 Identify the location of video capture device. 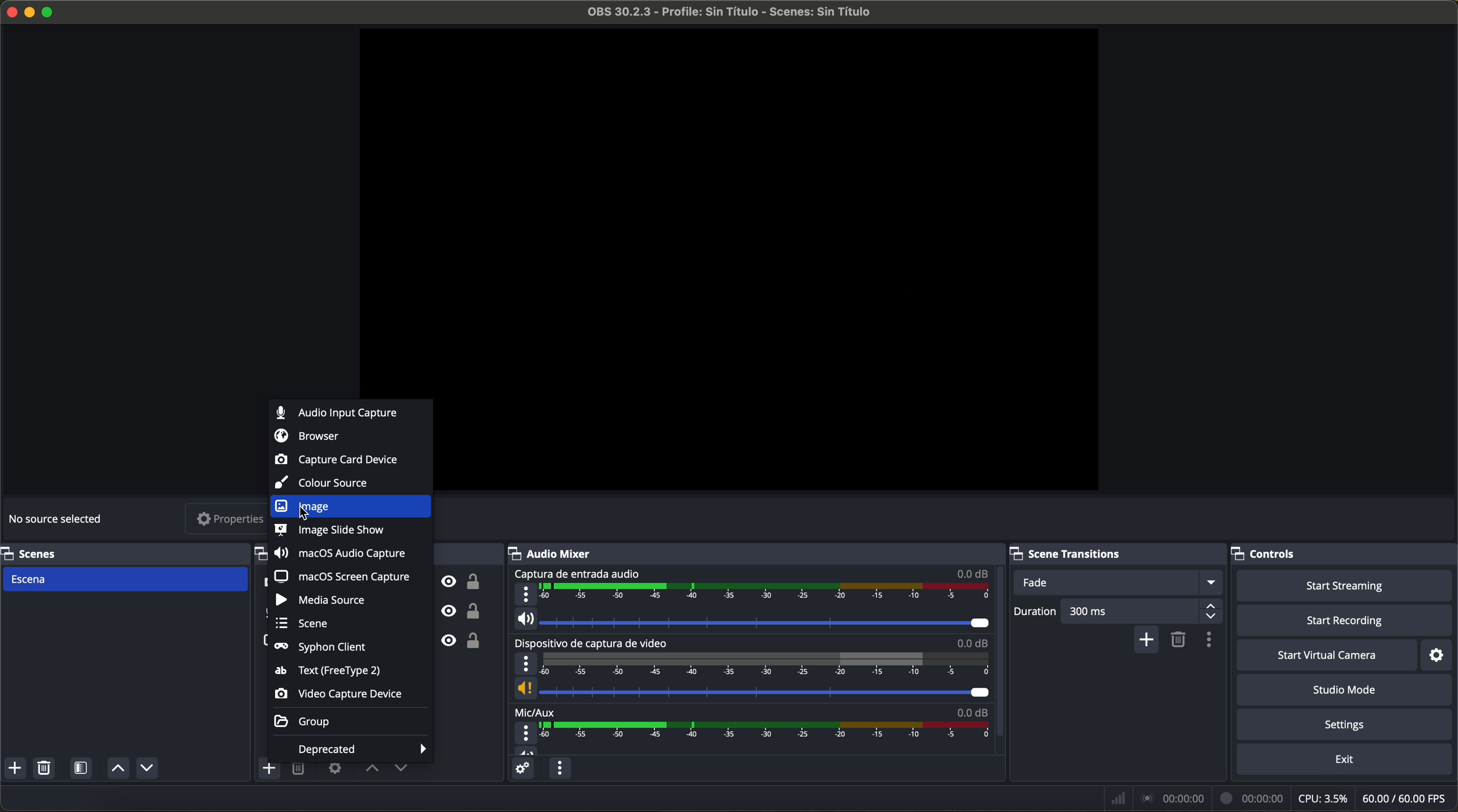
(595, 643).